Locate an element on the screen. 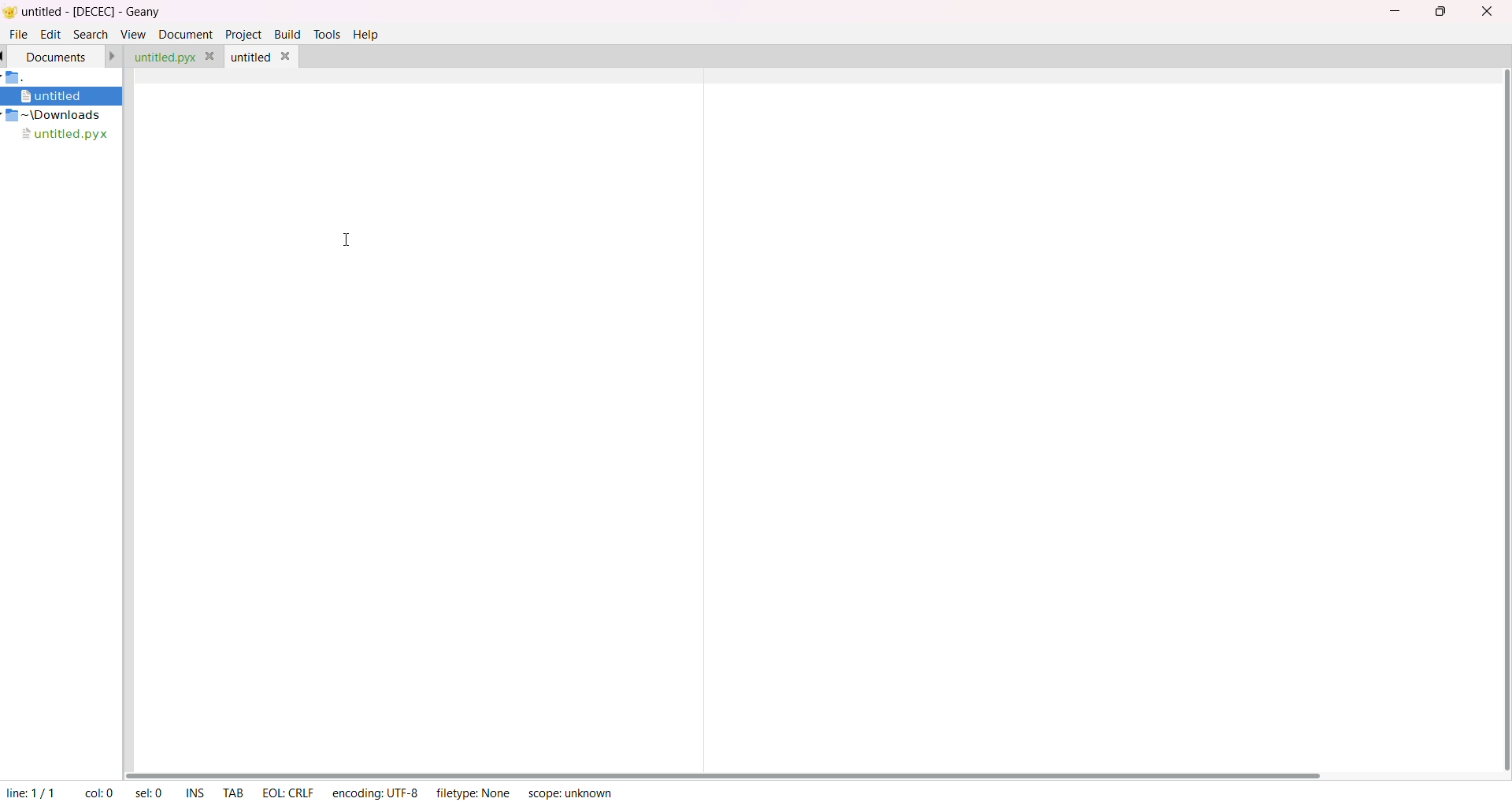  vertical scroll bar is located at coordinates (1503, 419).